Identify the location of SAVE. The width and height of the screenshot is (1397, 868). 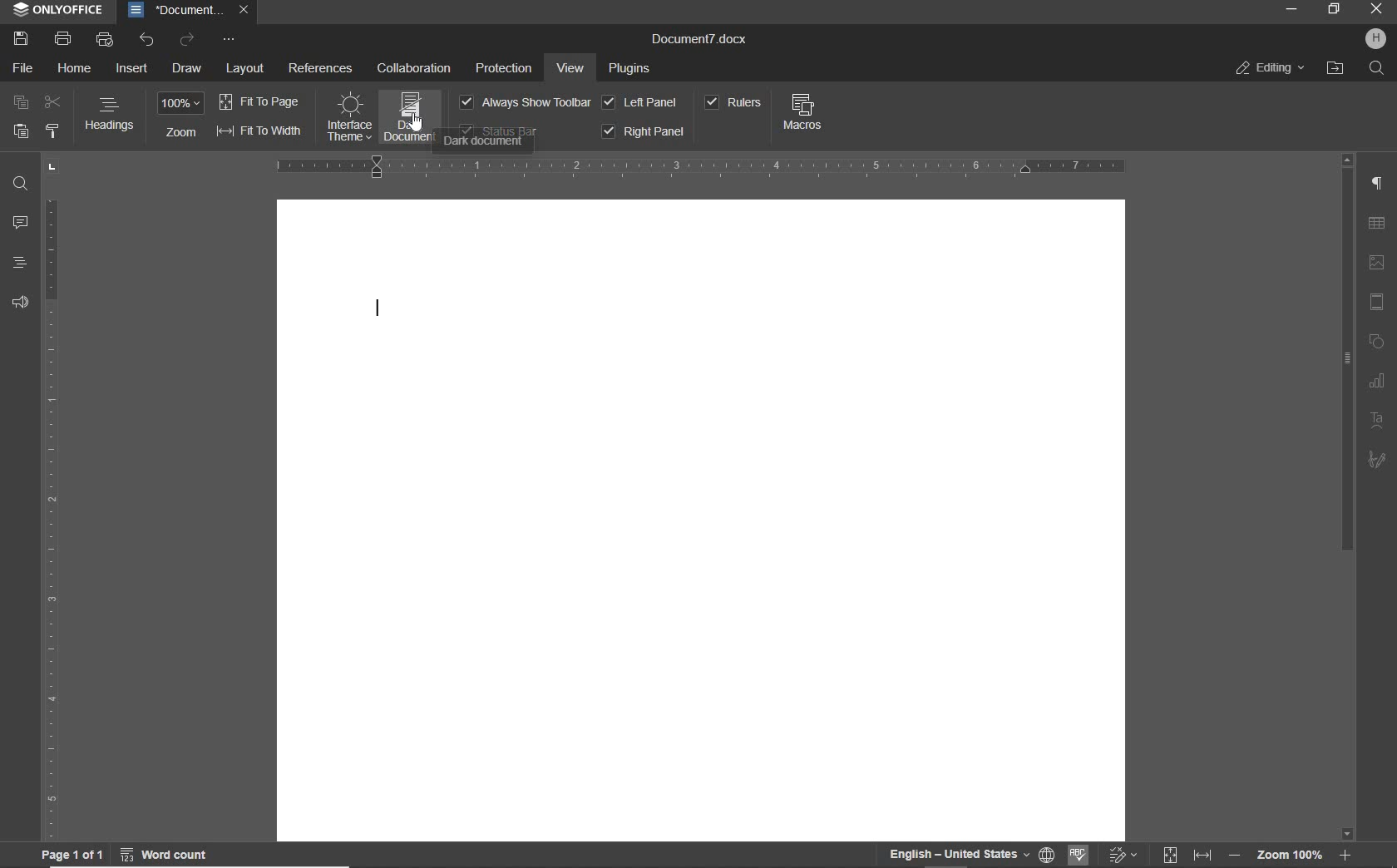
(21, 39).